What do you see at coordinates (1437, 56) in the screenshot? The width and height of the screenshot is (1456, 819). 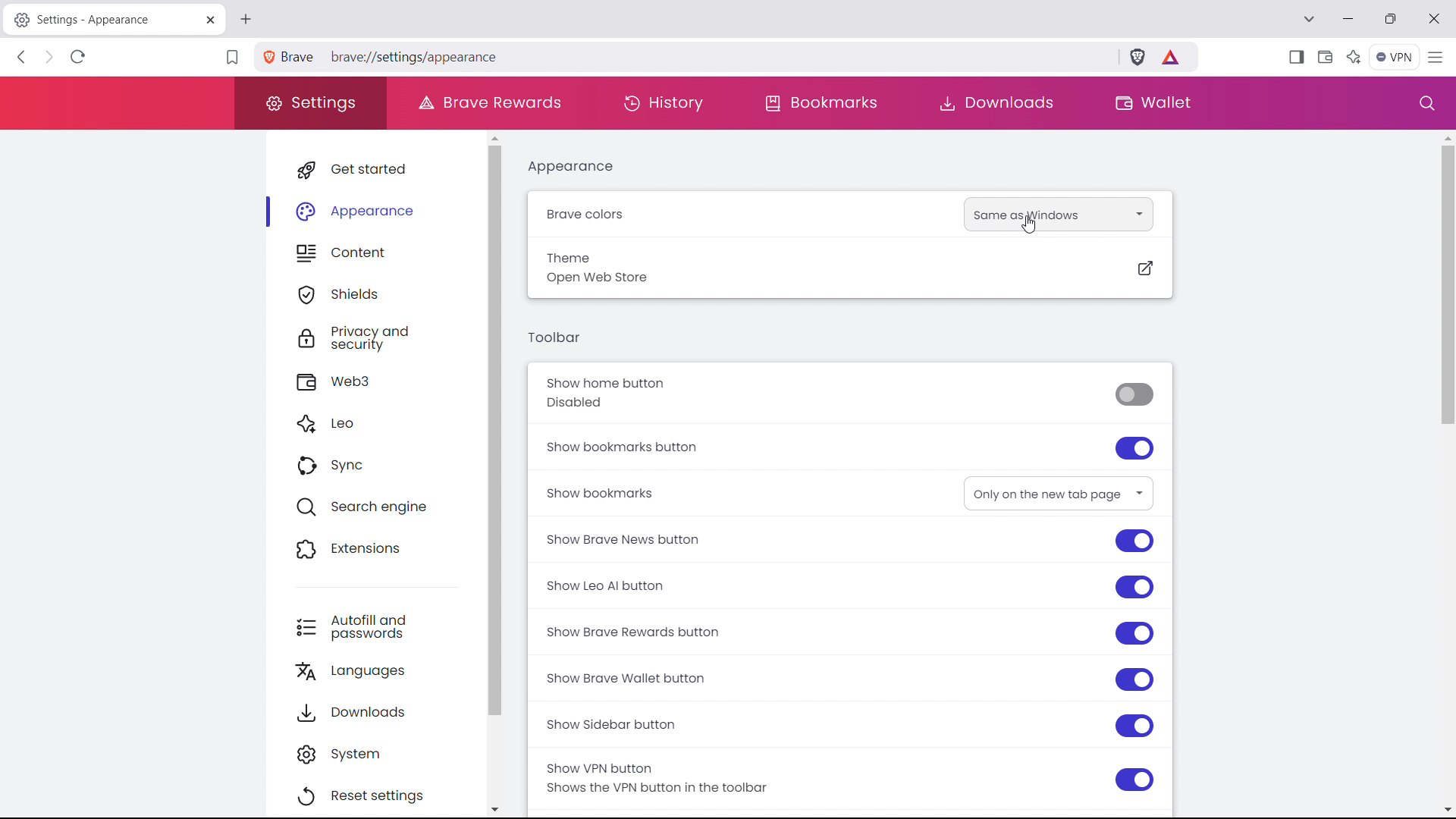 I see ` customize and control` at bounding box center [1437, 56].